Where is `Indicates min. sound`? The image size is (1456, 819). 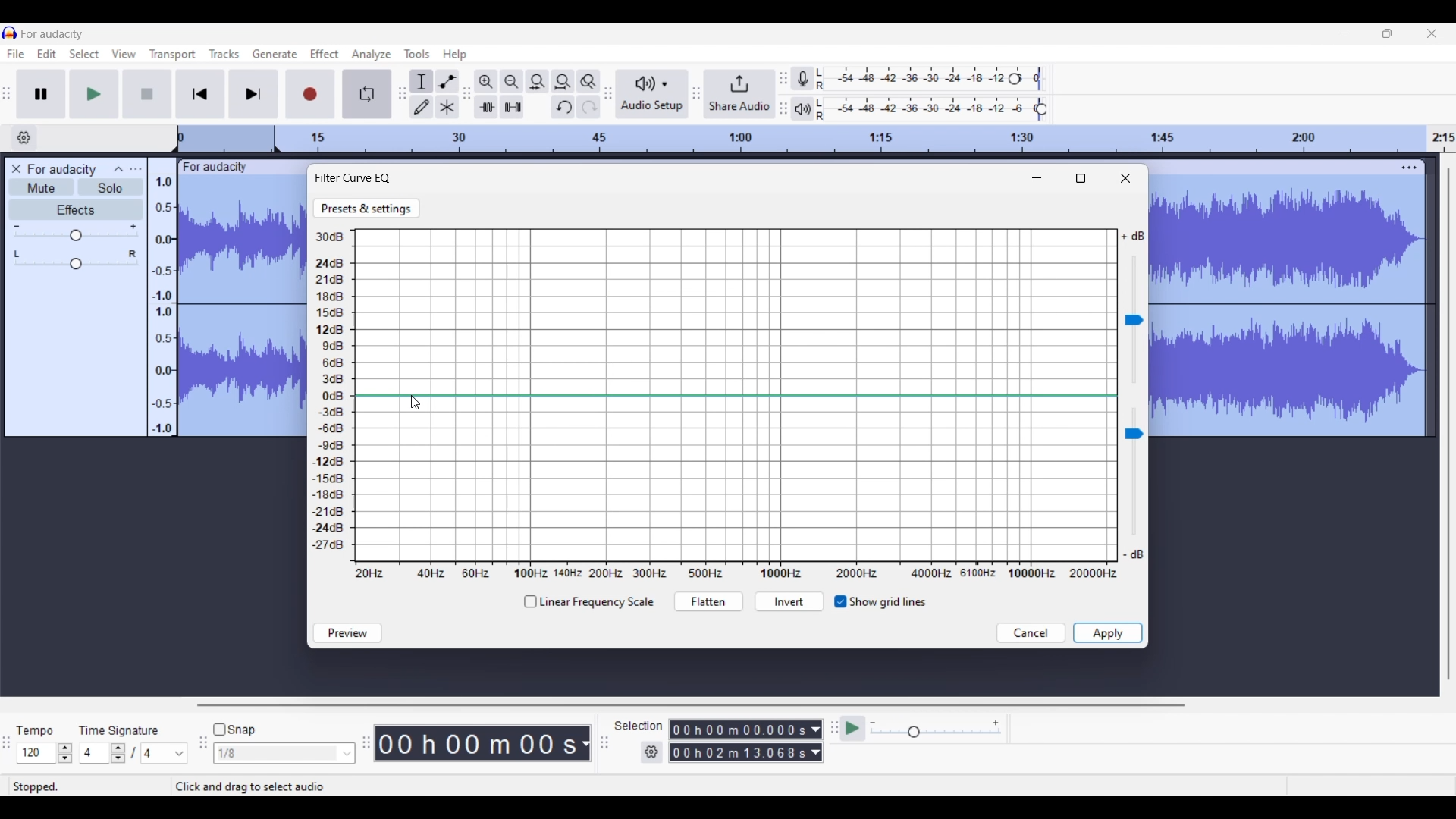 Indicates min. sound is located at coordinates (1133, 554).